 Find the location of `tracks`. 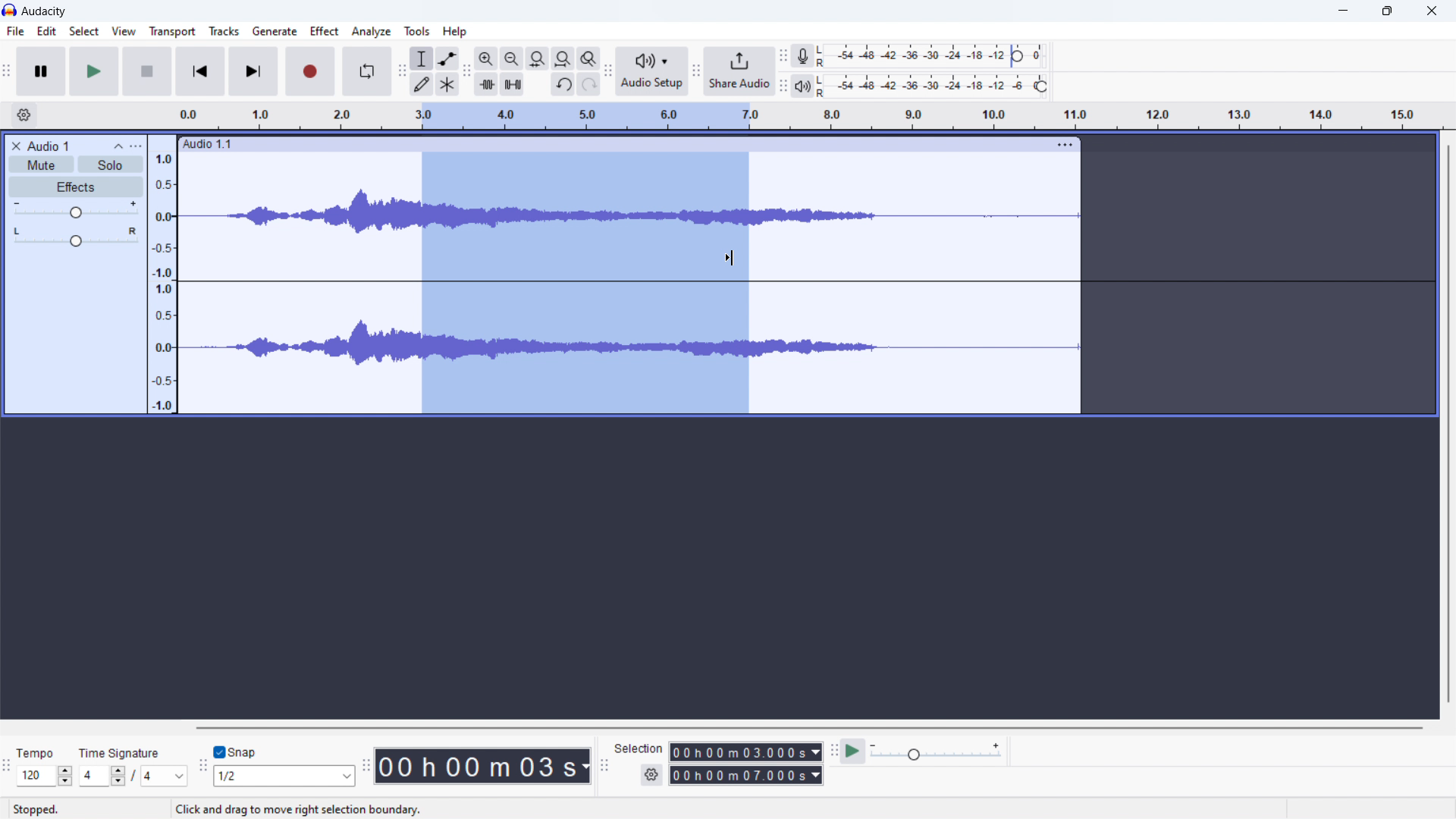

tracks is located at coordinates (224, 31).